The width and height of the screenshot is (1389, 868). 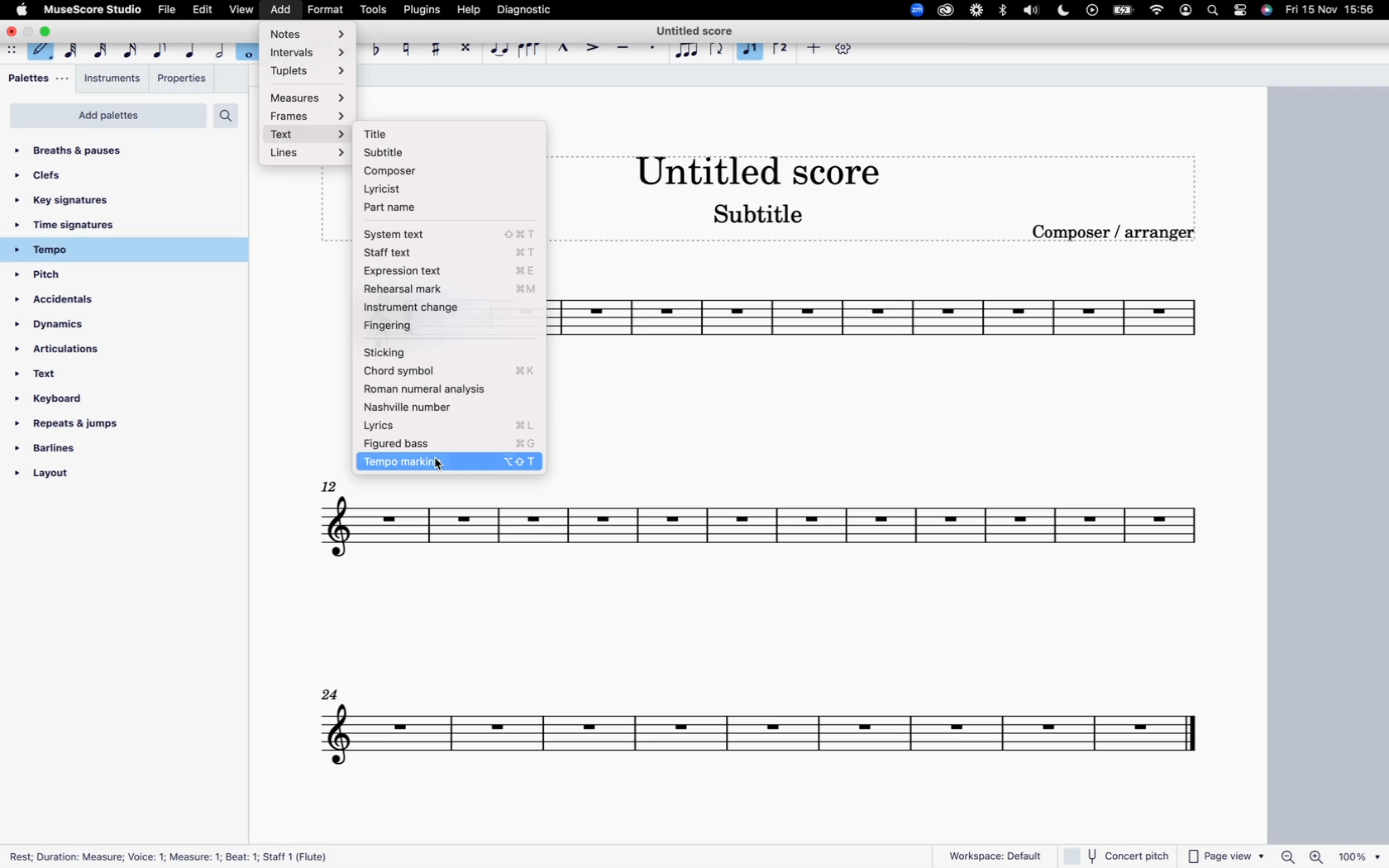 What do you see at coordinates (453, 408) in the screenshot?
I see `nashville numver` at bounding box center [453, 408].